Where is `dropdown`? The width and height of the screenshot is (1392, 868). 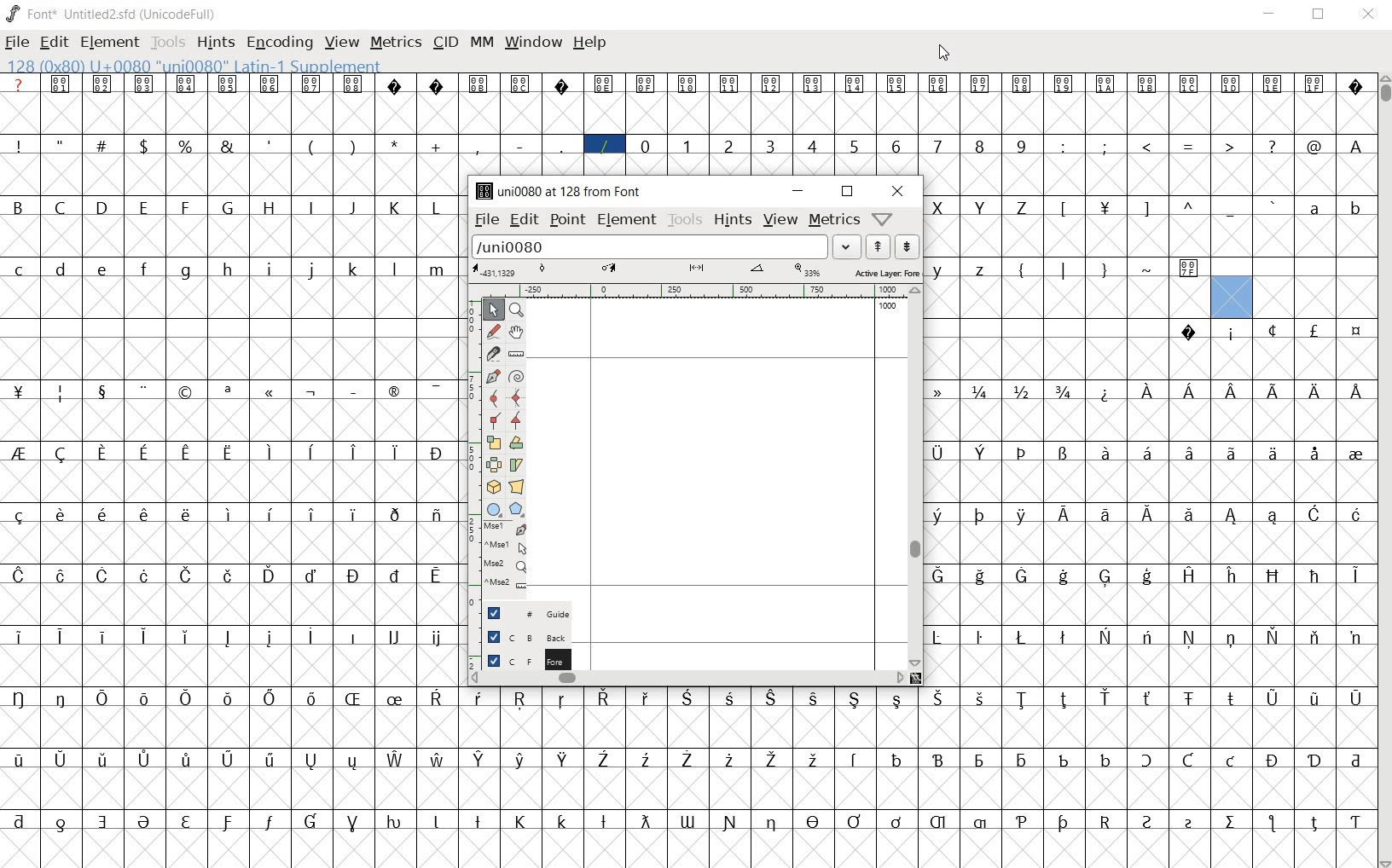
dropdown is located at coordinates (847, 247).